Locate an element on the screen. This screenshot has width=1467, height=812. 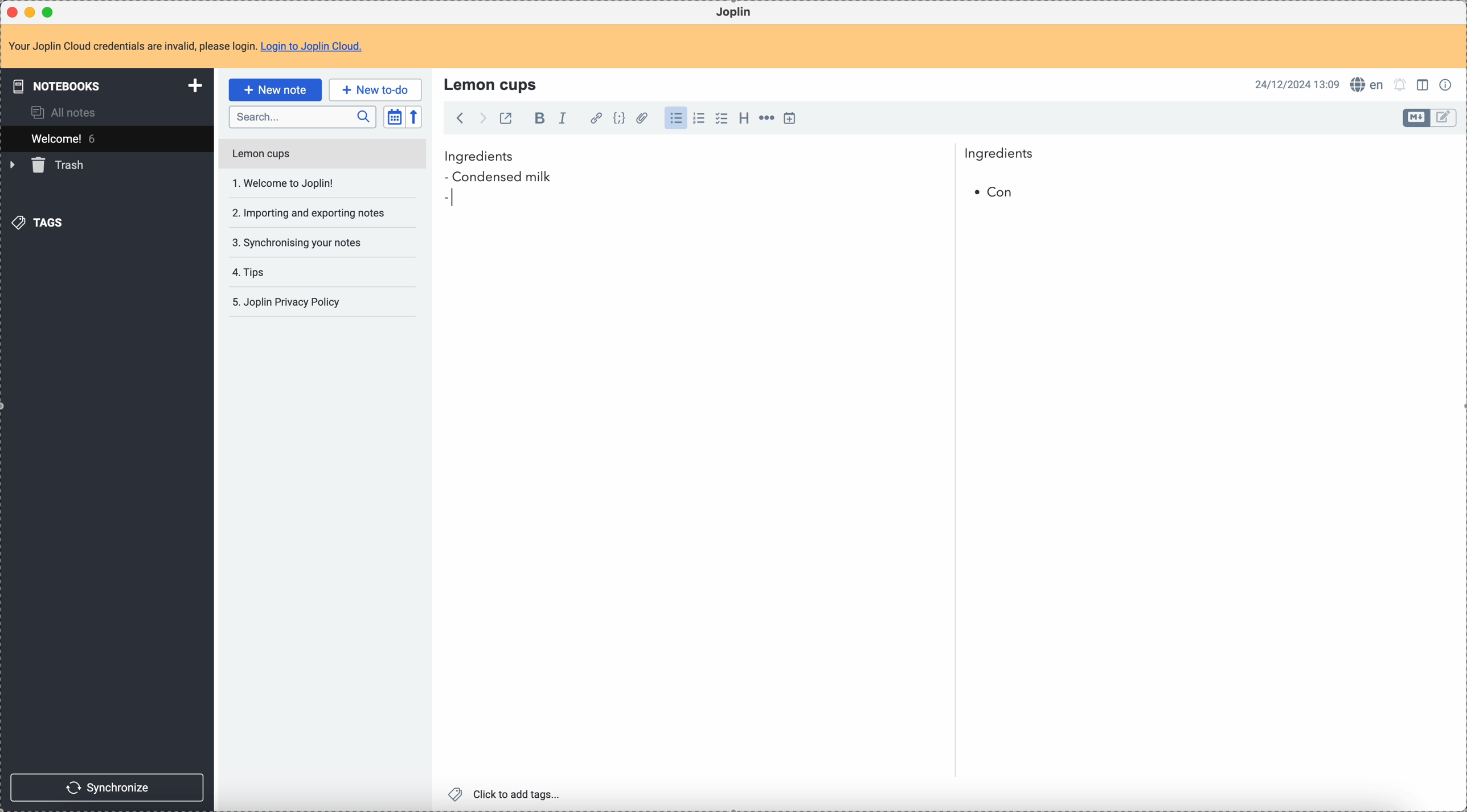
toggle edit layout is located at coordinates (1424, 84).